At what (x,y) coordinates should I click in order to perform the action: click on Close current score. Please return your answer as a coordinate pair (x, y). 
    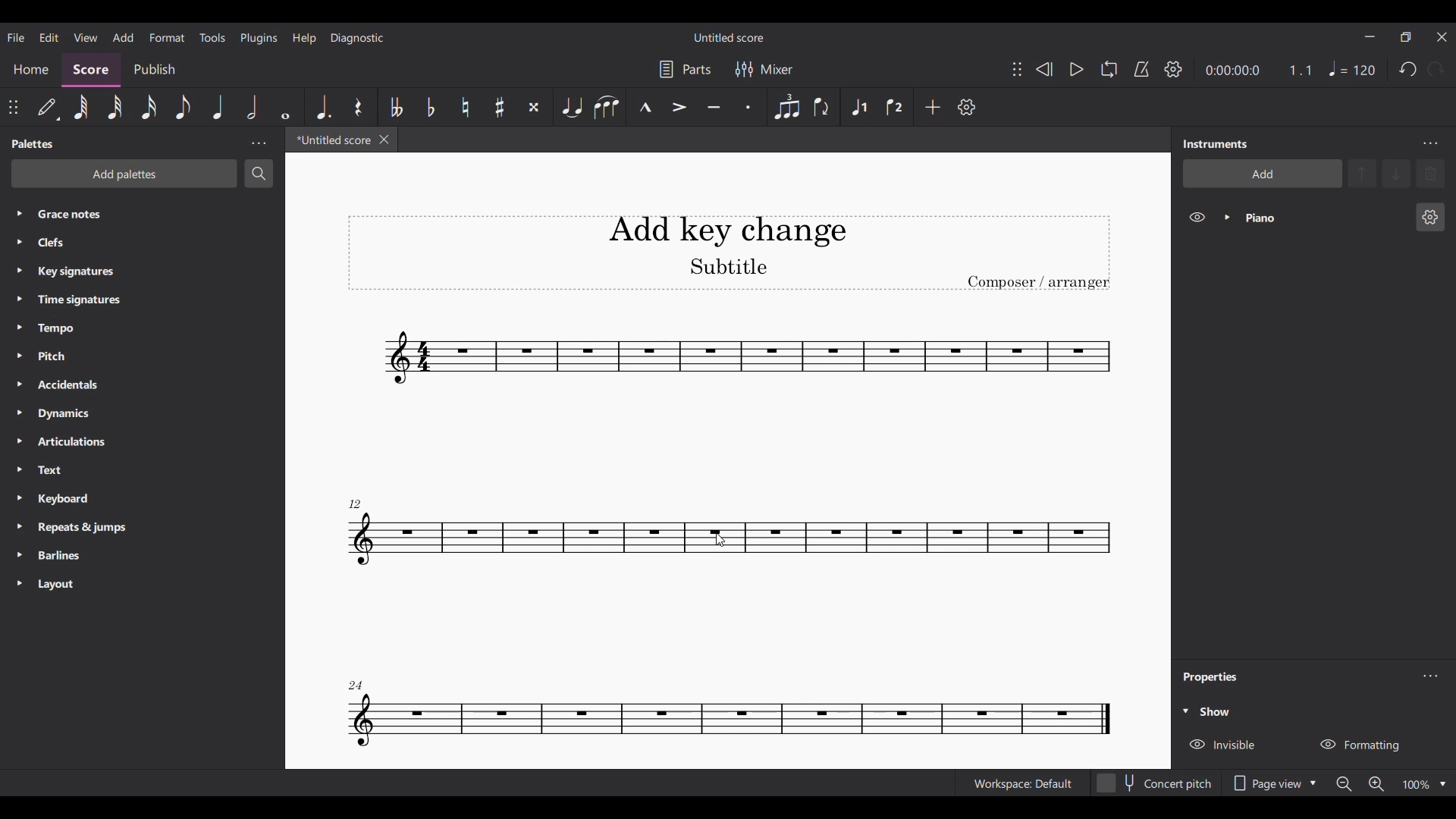
    Looking at the image, I should click on (384, 139).